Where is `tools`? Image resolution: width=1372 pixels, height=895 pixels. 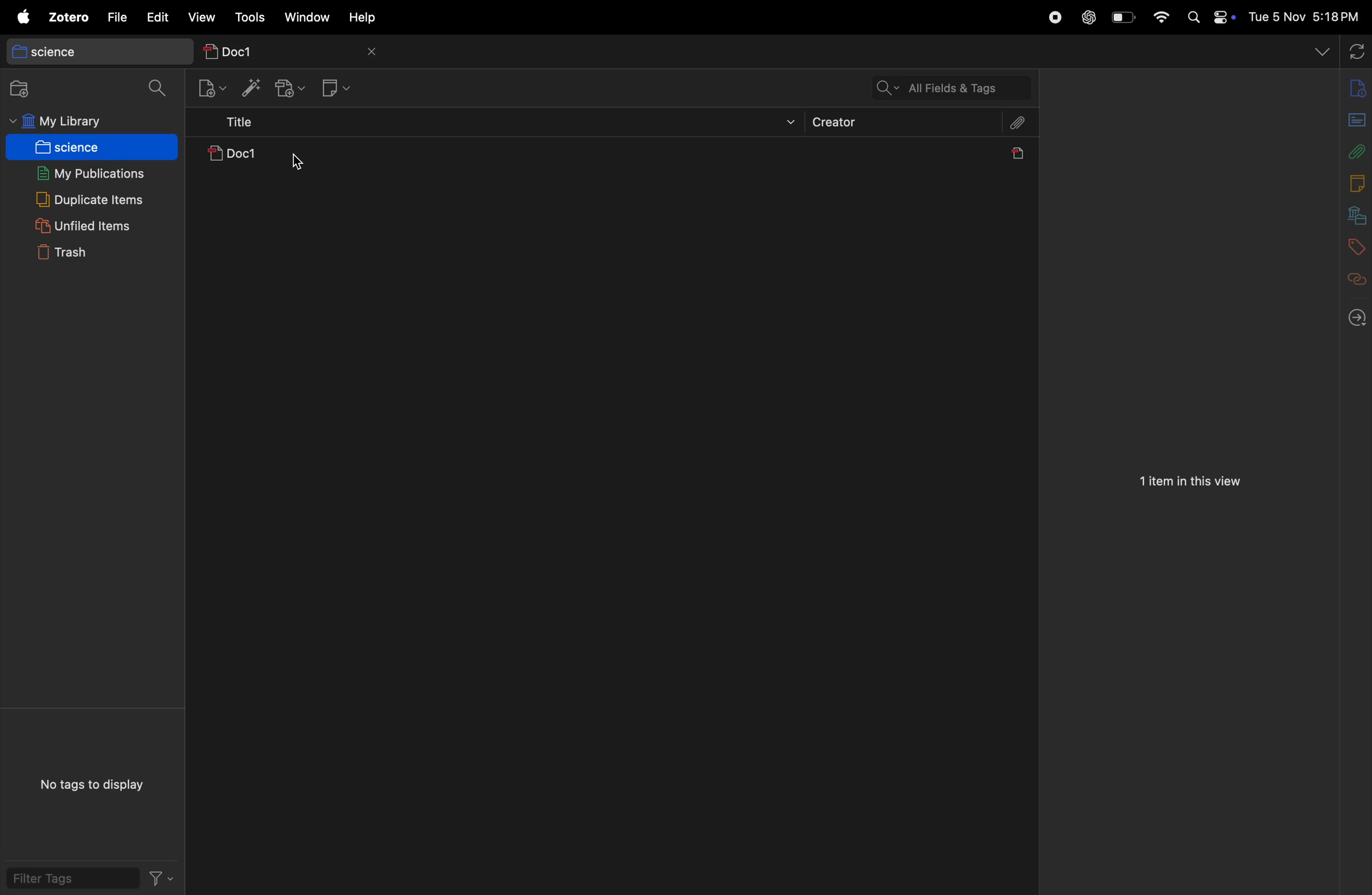
tools is located at coordinates (252, 14).